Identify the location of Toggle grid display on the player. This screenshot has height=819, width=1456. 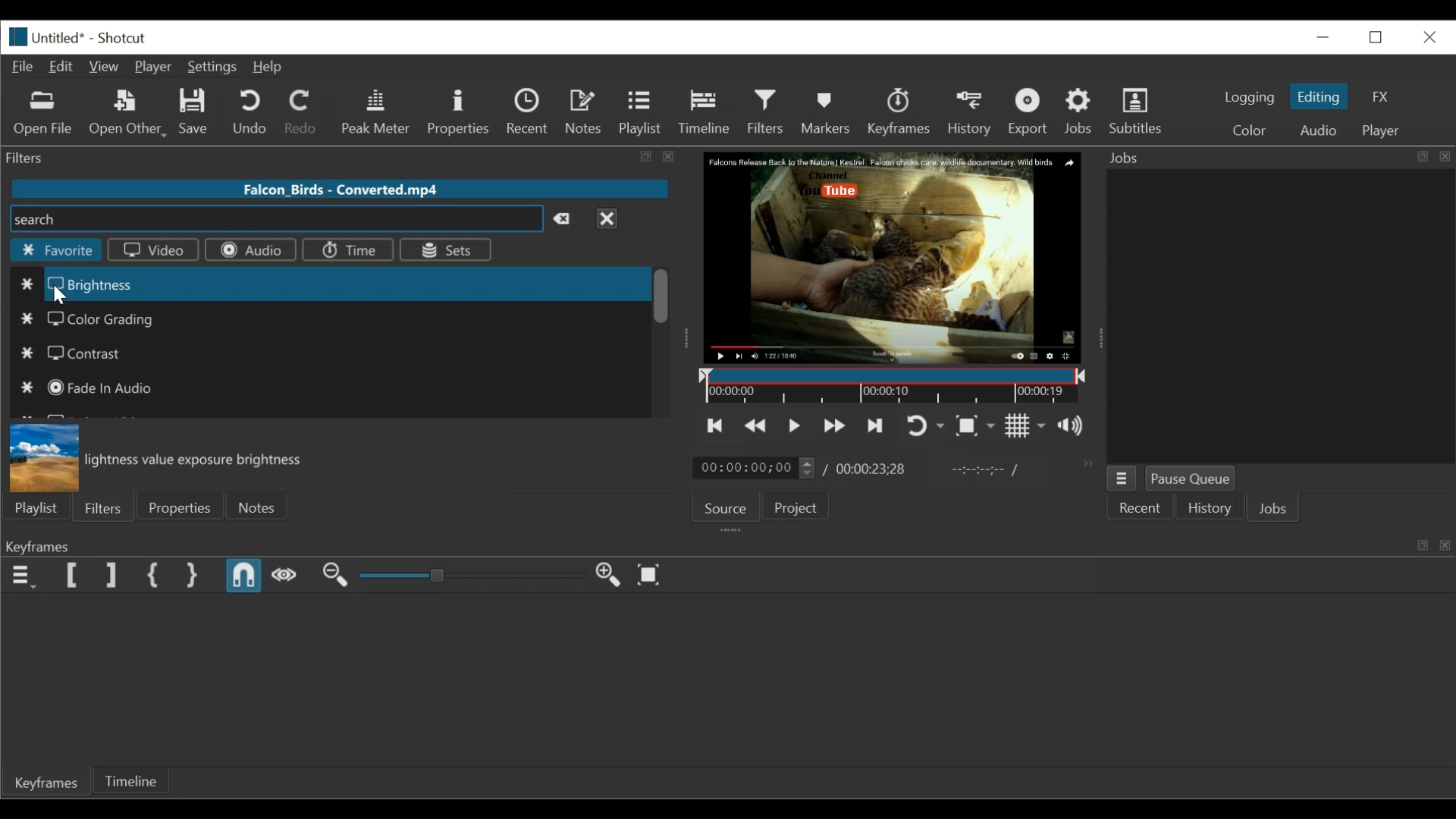
(1026, 426).